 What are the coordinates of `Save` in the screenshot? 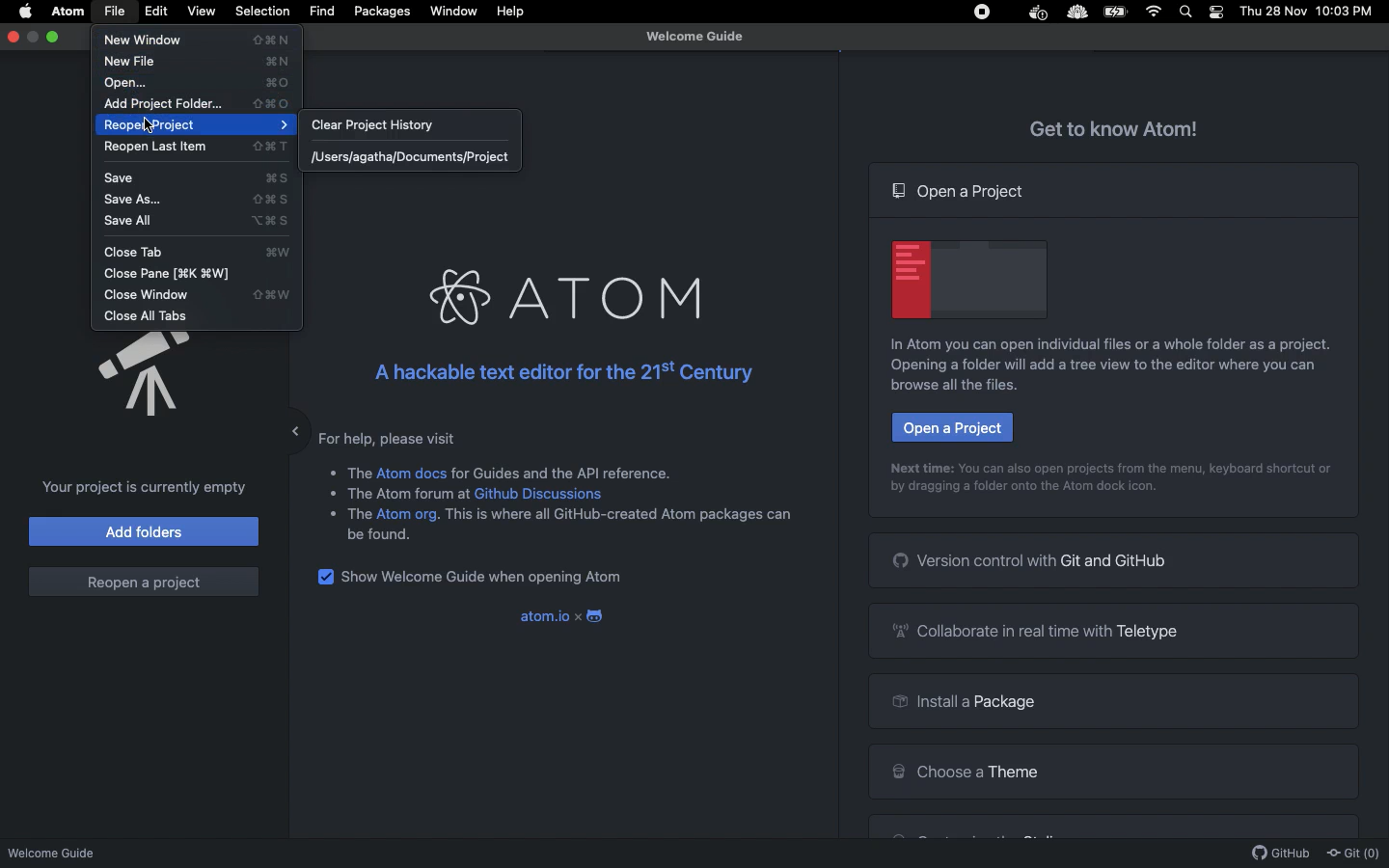 It's located at (203, 179).